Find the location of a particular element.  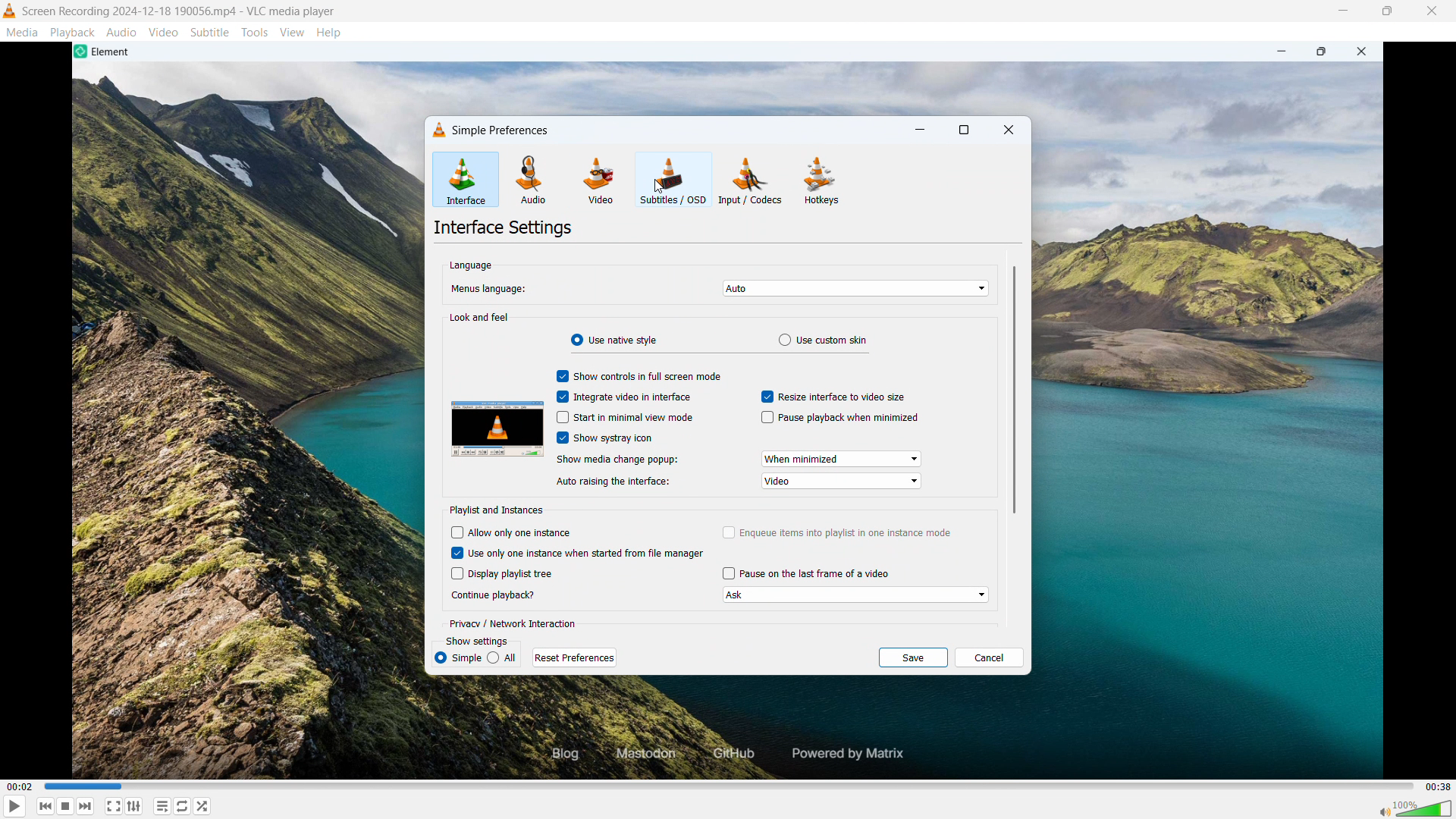

Interface  is located at coordinates (465, 180).